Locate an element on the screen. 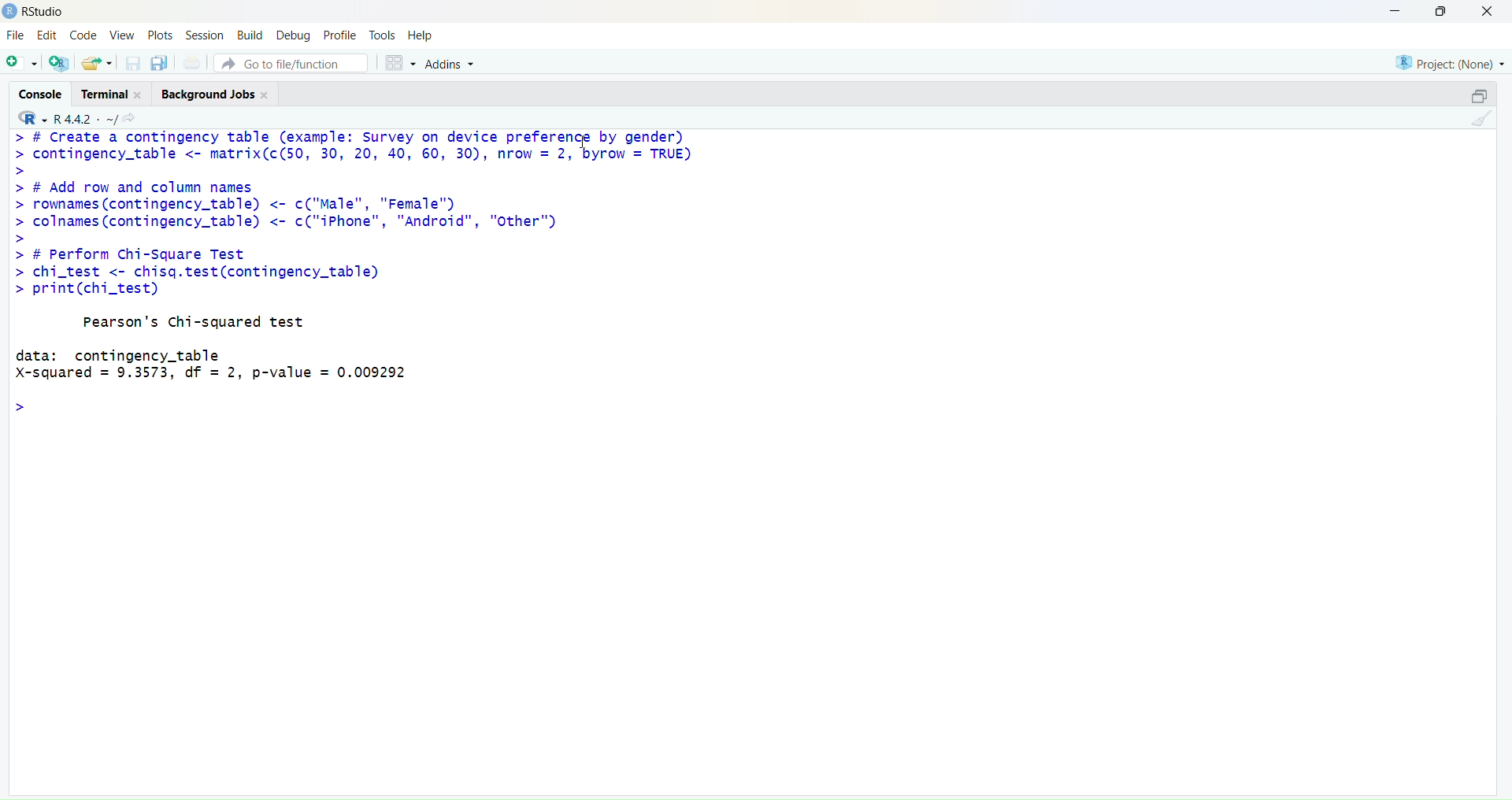 The height and width of the screenshot is (800, 1512). RStudio is located at coordinates (46, 12).